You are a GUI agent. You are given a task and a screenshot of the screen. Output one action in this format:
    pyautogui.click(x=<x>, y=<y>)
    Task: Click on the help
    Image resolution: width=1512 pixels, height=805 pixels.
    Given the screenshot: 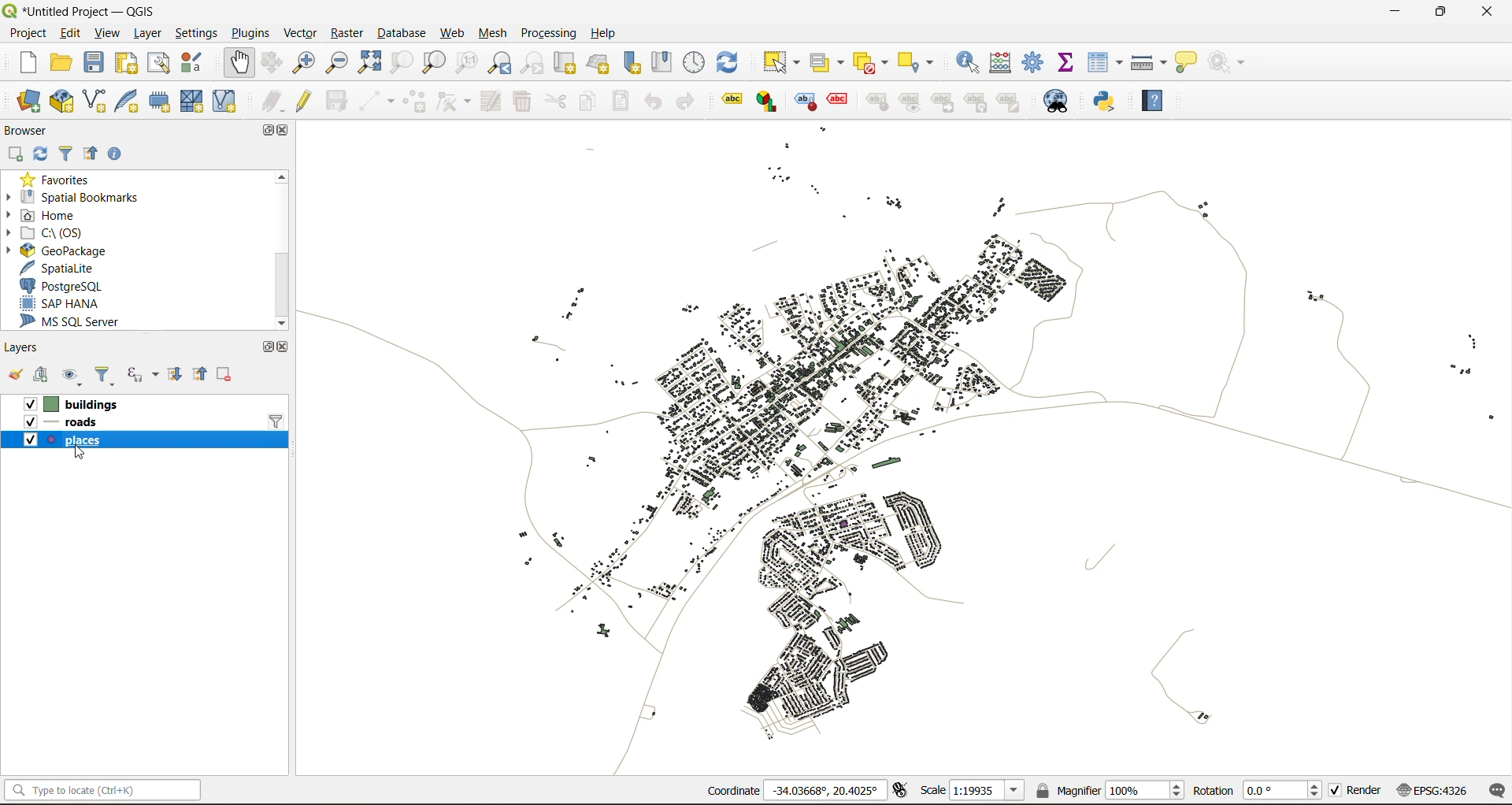 What is the action you would take?
    pyautogui.click(x=608, y=33)
    